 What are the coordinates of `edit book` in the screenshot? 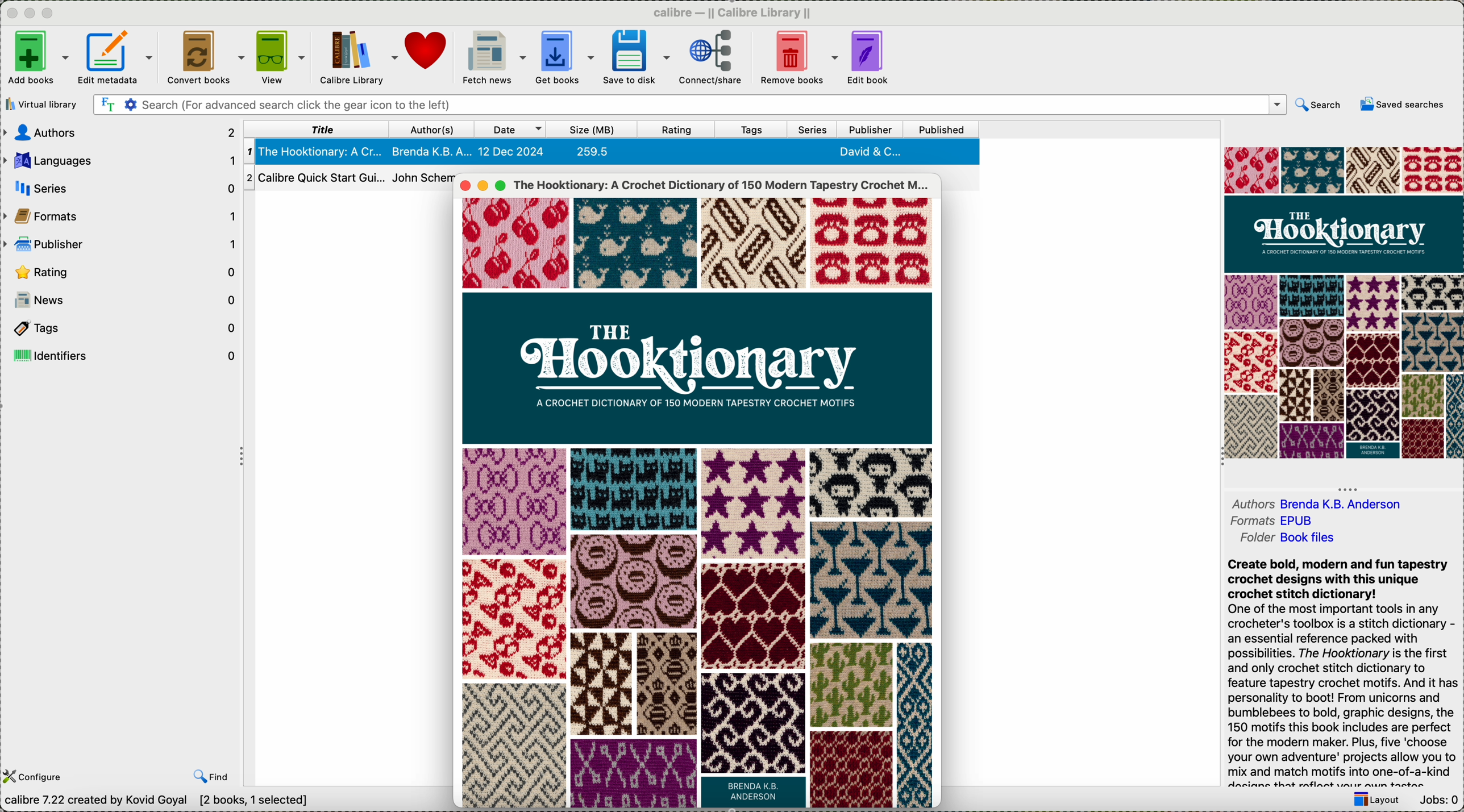 It's located at (869, 56).